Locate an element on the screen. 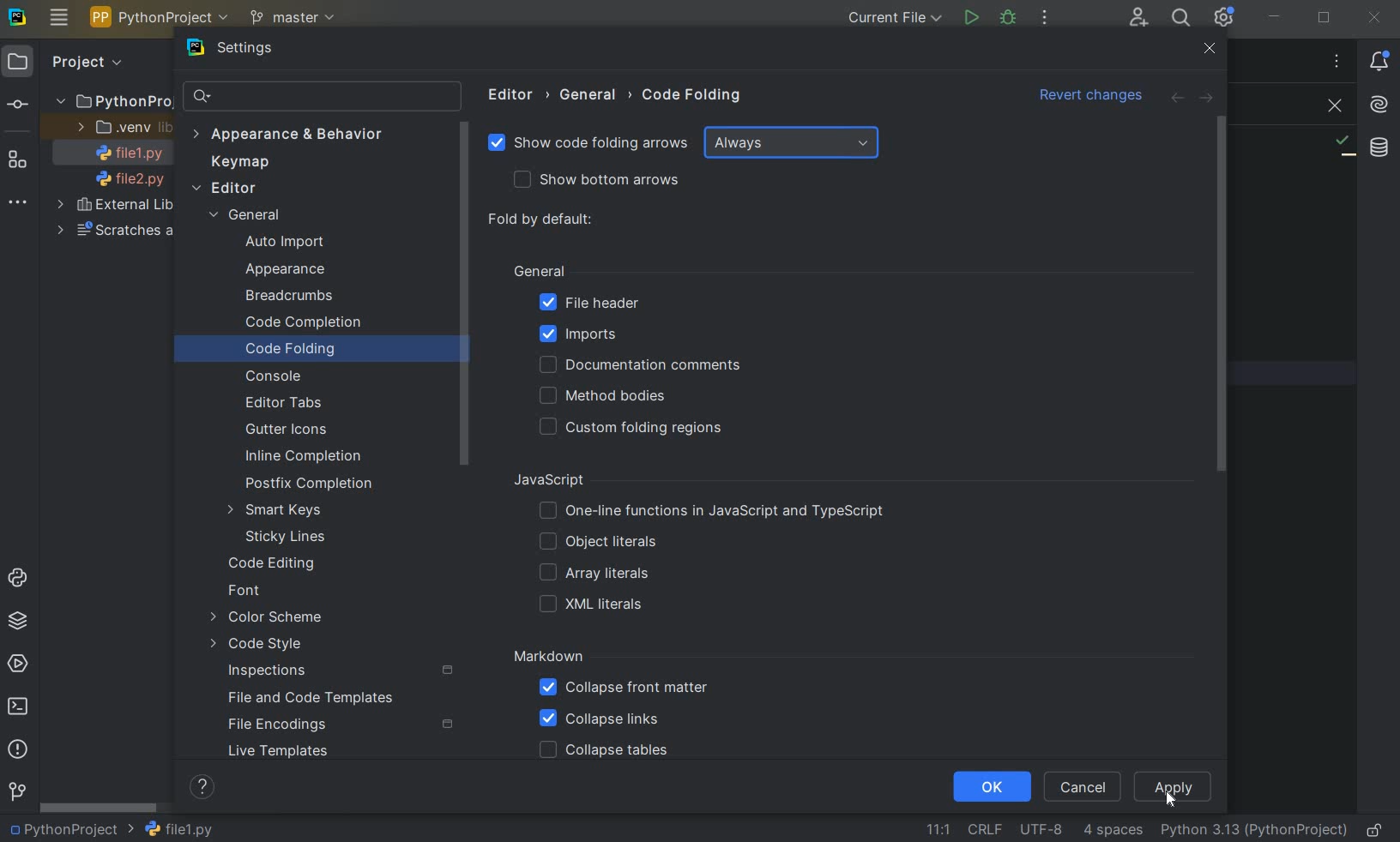 The width and height of the screenshot is (1400, 842). PROBLEMS is located at coordinates (18, 750).